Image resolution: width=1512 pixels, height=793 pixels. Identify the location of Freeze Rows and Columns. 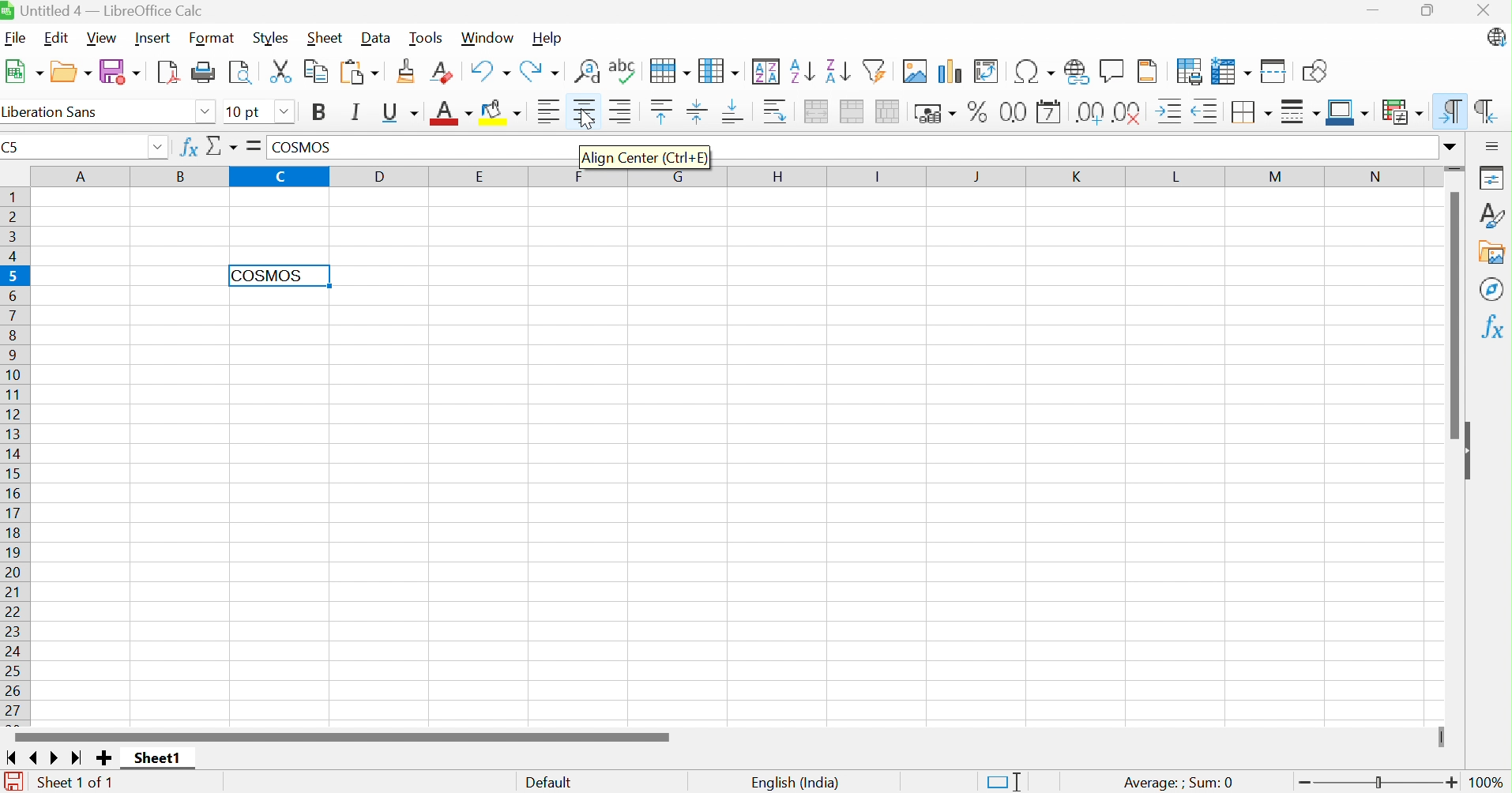
(1233, 71).